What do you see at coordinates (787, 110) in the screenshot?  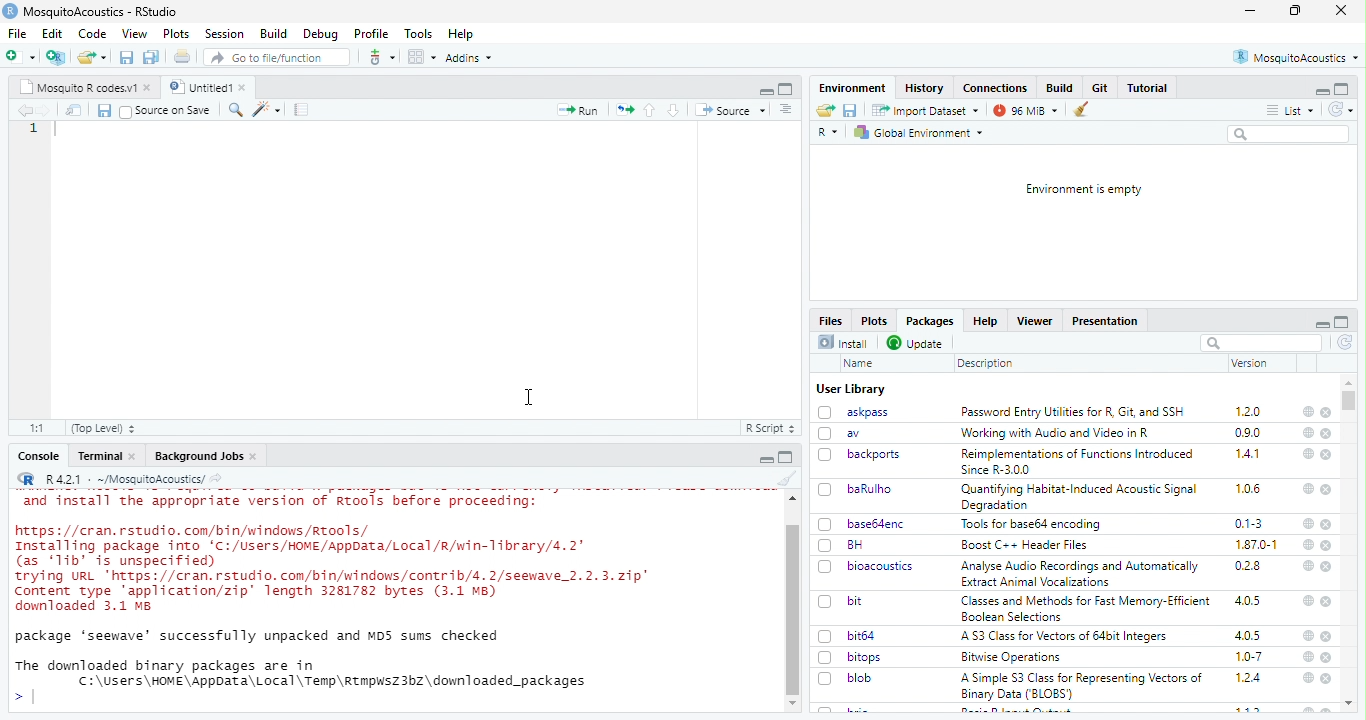 I see `more` at bounding box center [787, 110].